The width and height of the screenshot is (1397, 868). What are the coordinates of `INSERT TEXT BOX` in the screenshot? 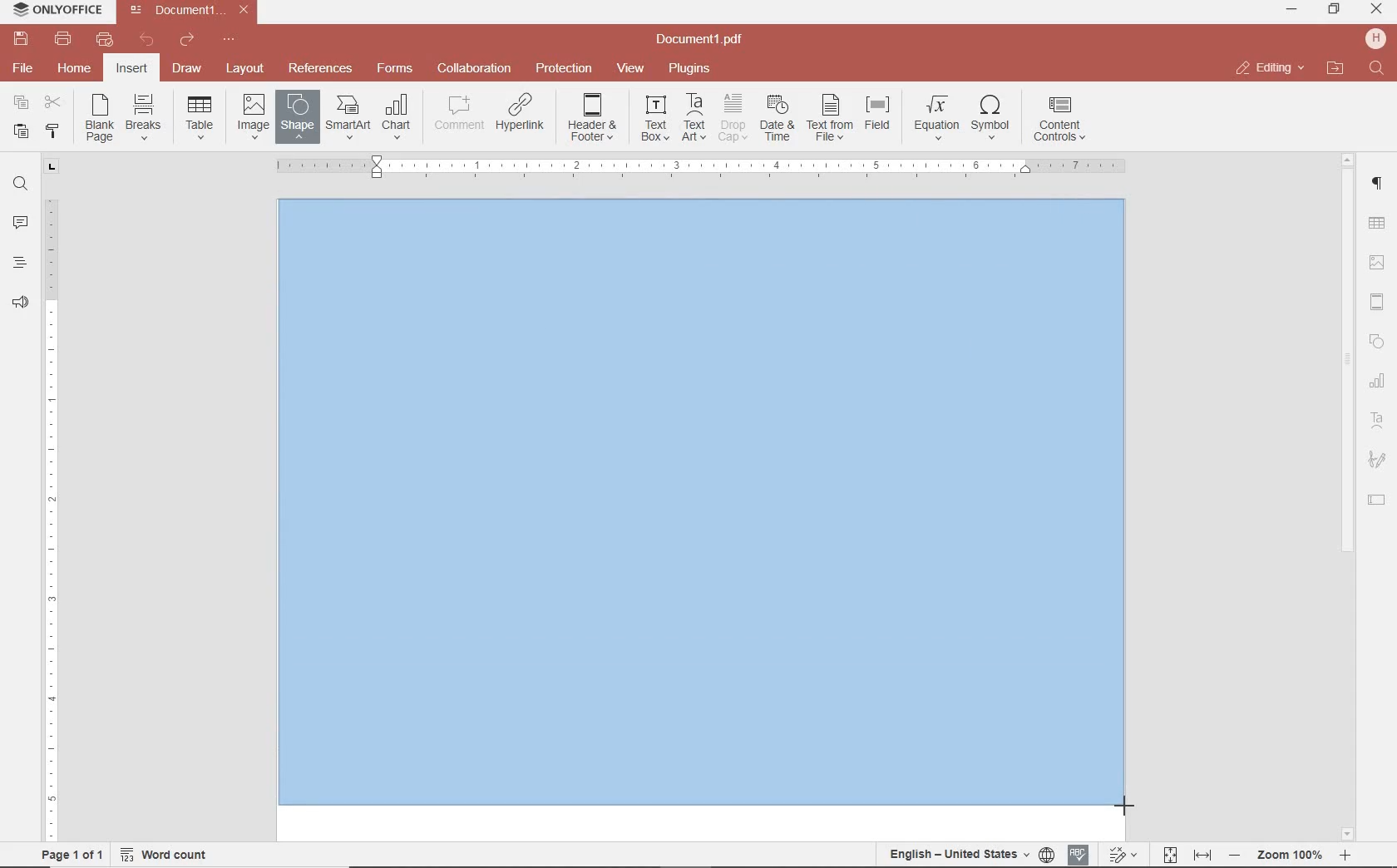 It's located at (654, 117).